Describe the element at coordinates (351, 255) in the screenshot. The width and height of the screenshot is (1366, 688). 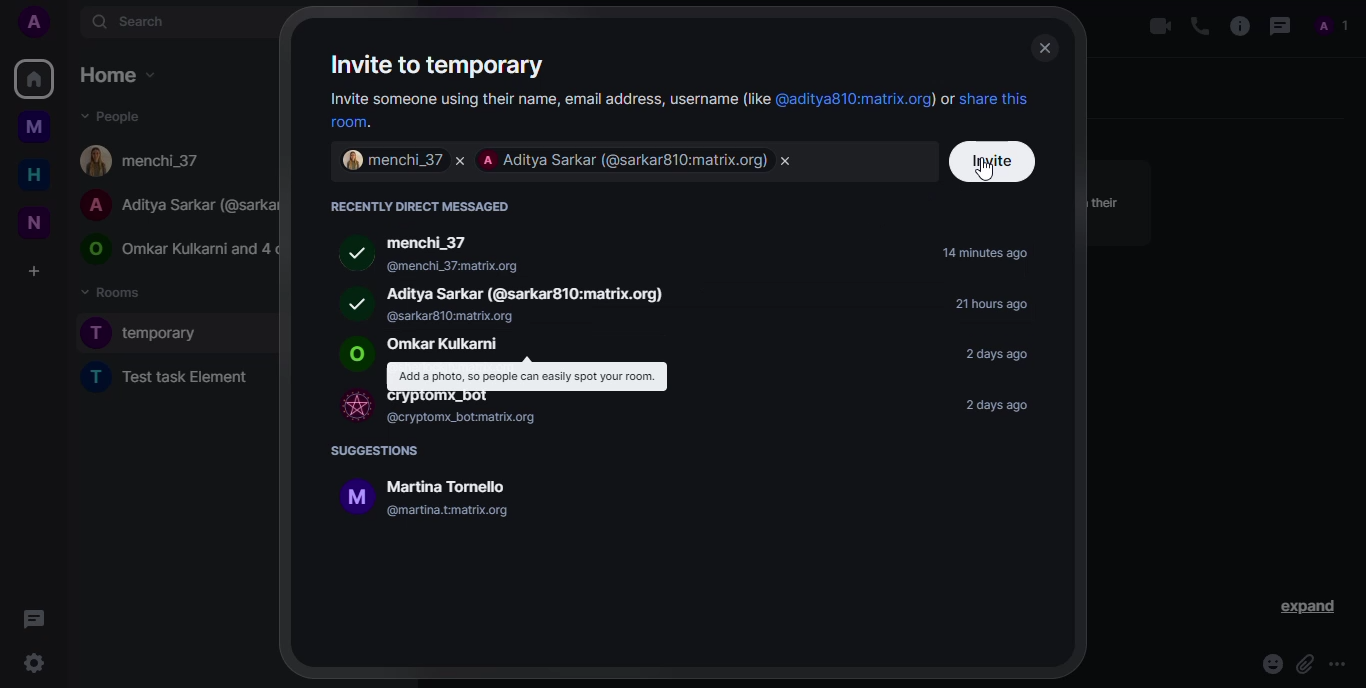
I see `profile picture` at that location.